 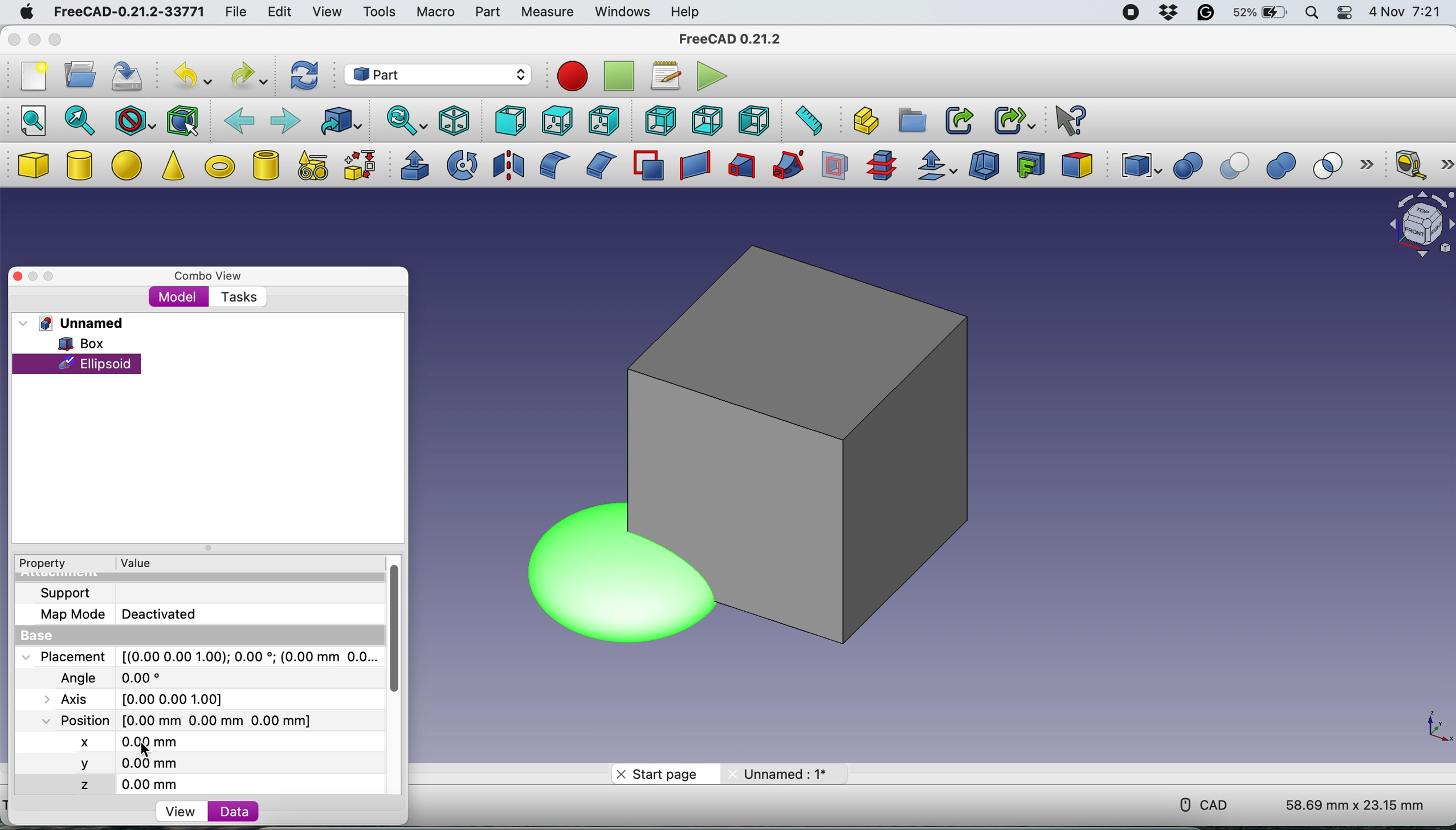 What do you see at coordinates (140, 698) in the screenshot?
I see `Axis [0.00 0.00 1.00]` at bounding box center [140, 698].